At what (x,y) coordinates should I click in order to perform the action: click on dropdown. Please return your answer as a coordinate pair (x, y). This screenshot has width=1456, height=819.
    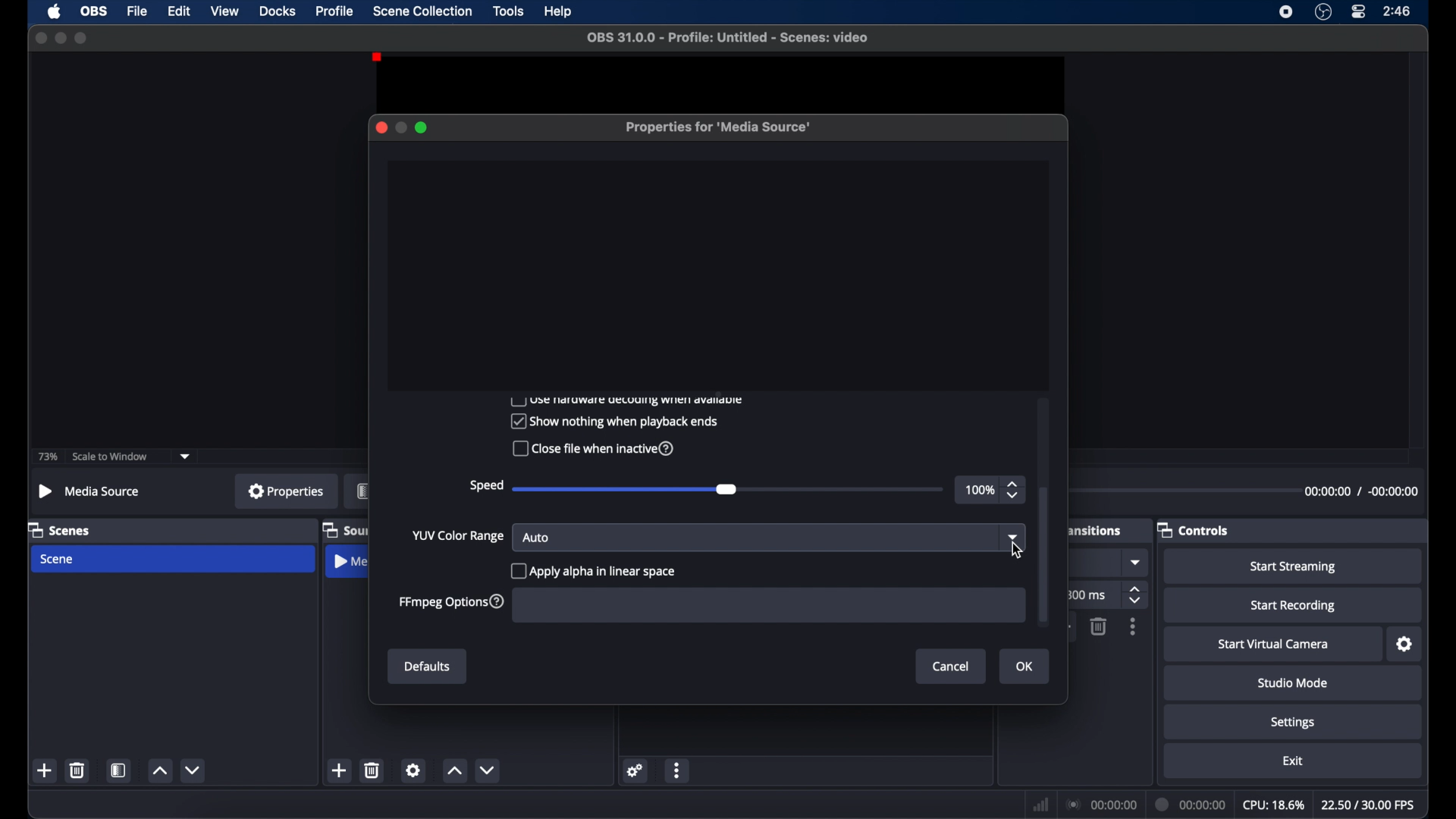
    Looking at the image, I should click on (186, 455).